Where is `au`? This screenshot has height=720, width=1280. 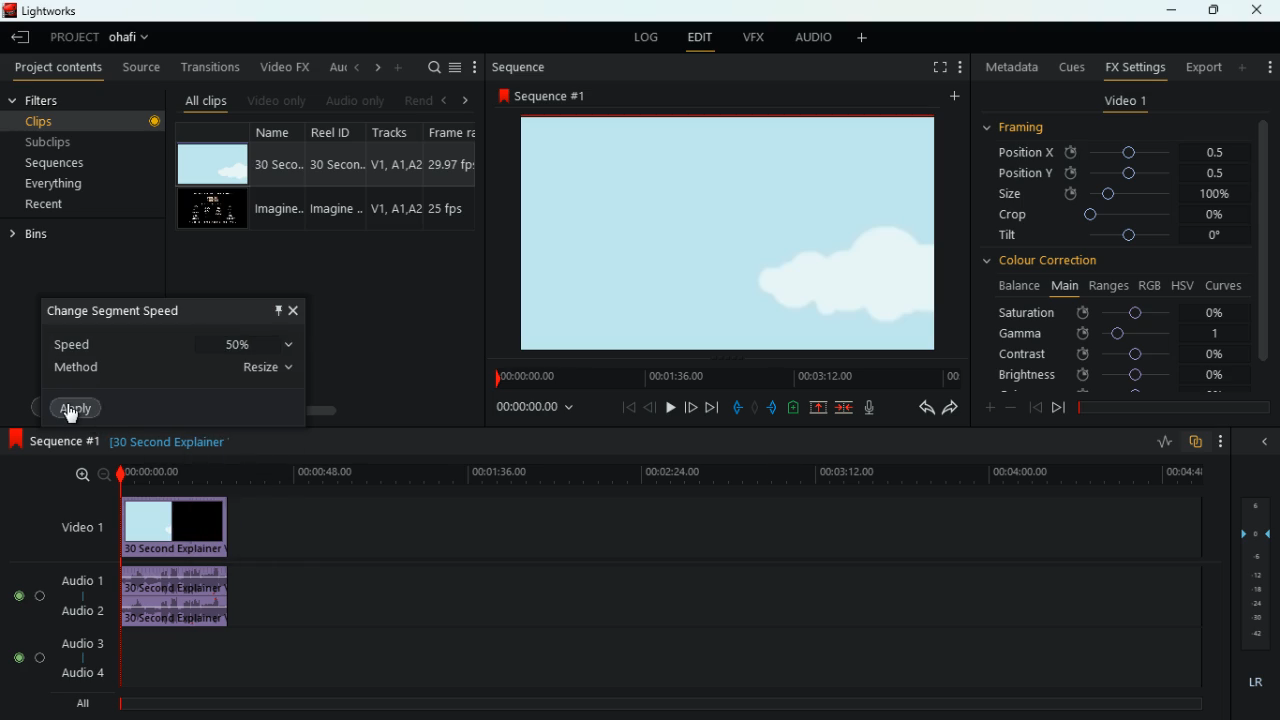 au is located at coordinates (331, 65).